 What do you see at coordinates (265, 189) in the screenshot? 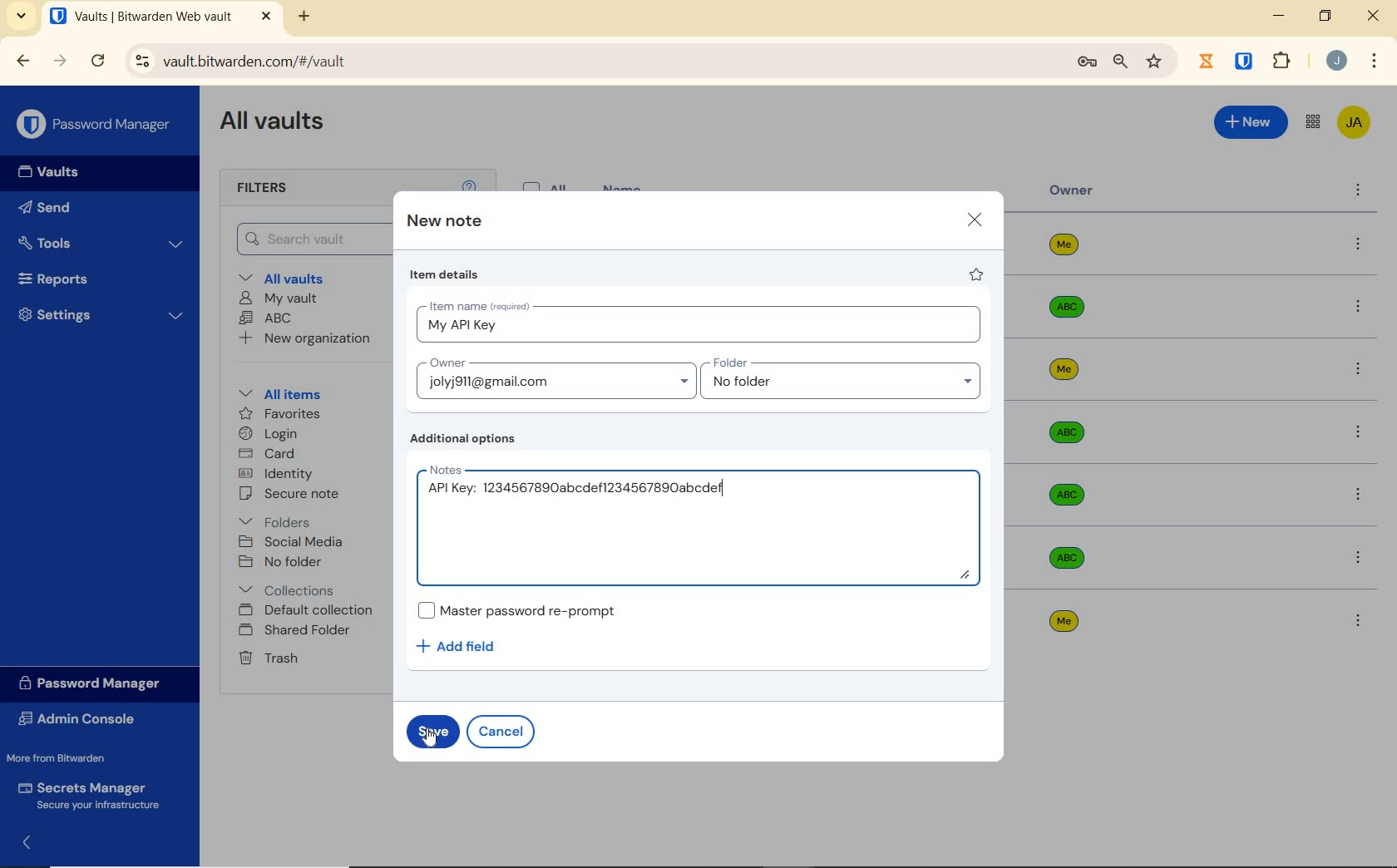
I see `Filters` at bounding box center [265, 189].